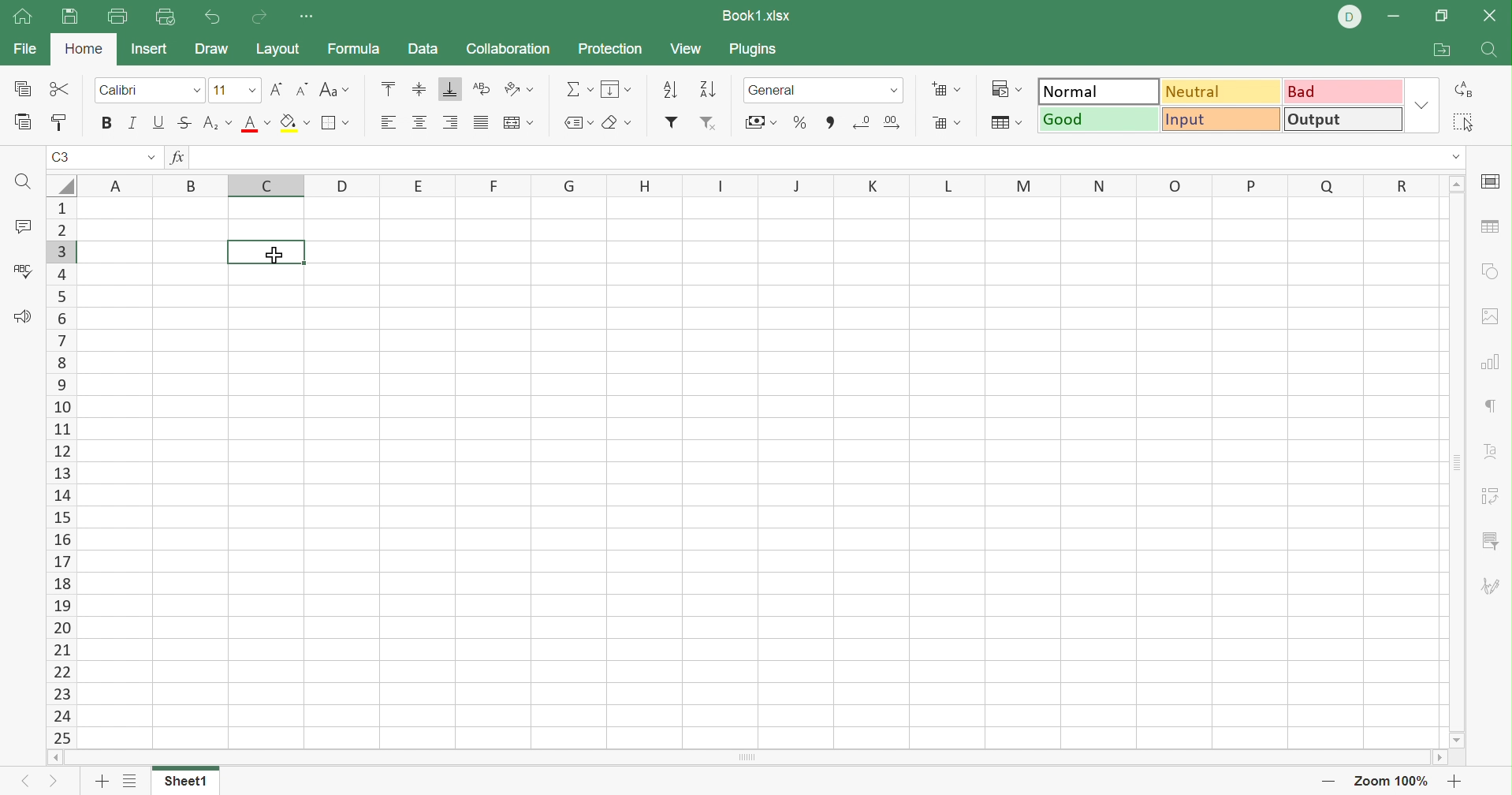 The height and width of the screenshot is (795, 1512). Describe the element at coordinates (479, 89) in the screenshot. I see `Wrap Text` at that location.